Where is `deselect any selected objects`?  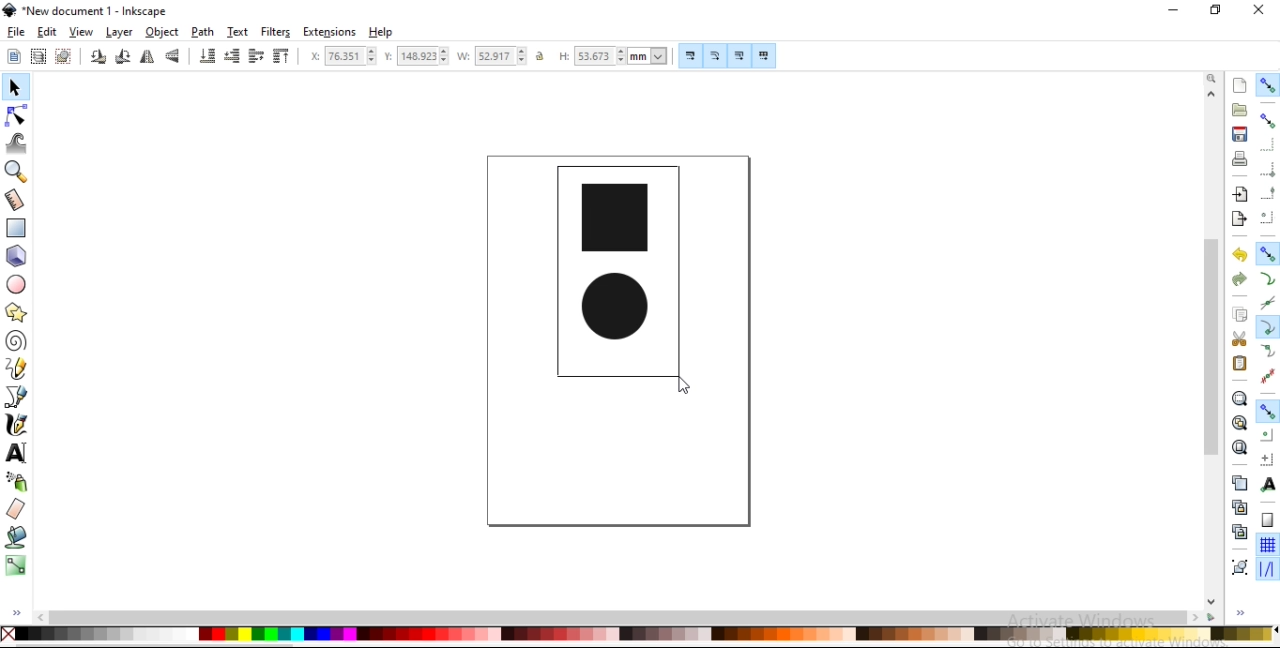 deselect any selected objects is located at coordinates (66, 57).